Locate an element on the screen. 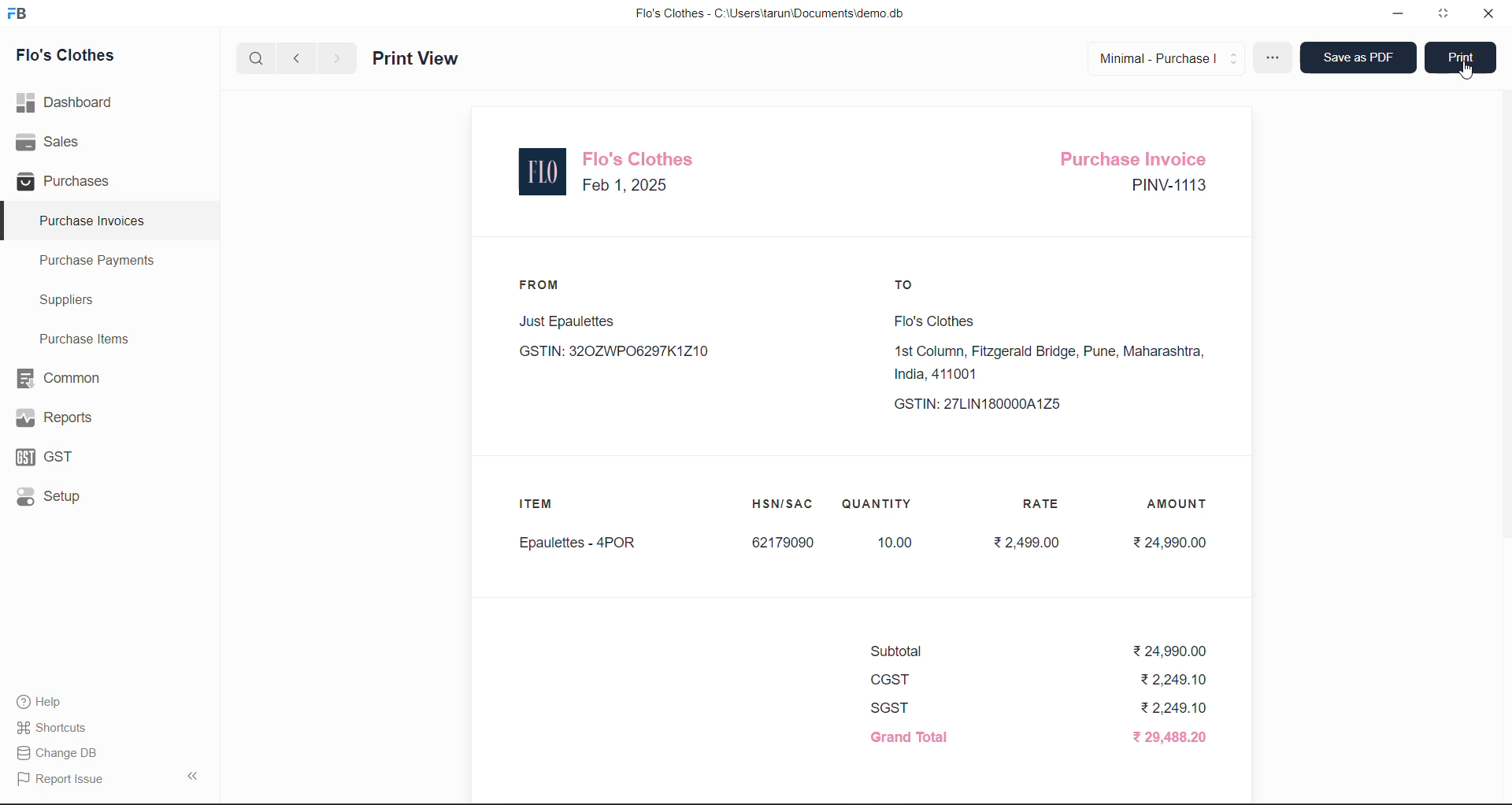 The image size is (1512, 805).  GST is located at coordinates (64, 457).